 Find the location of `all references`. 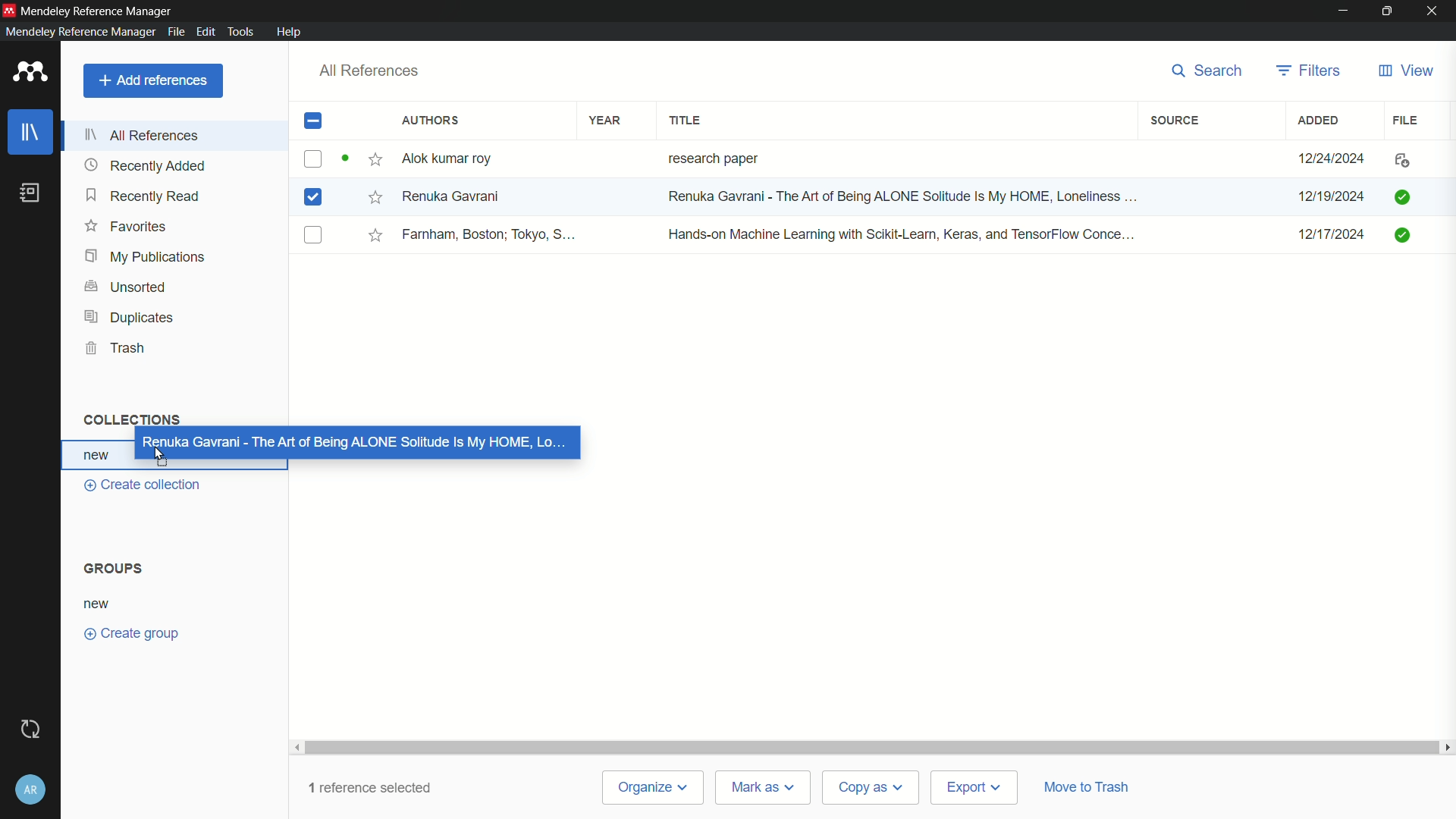

all references is located at coordinates (370, 71).